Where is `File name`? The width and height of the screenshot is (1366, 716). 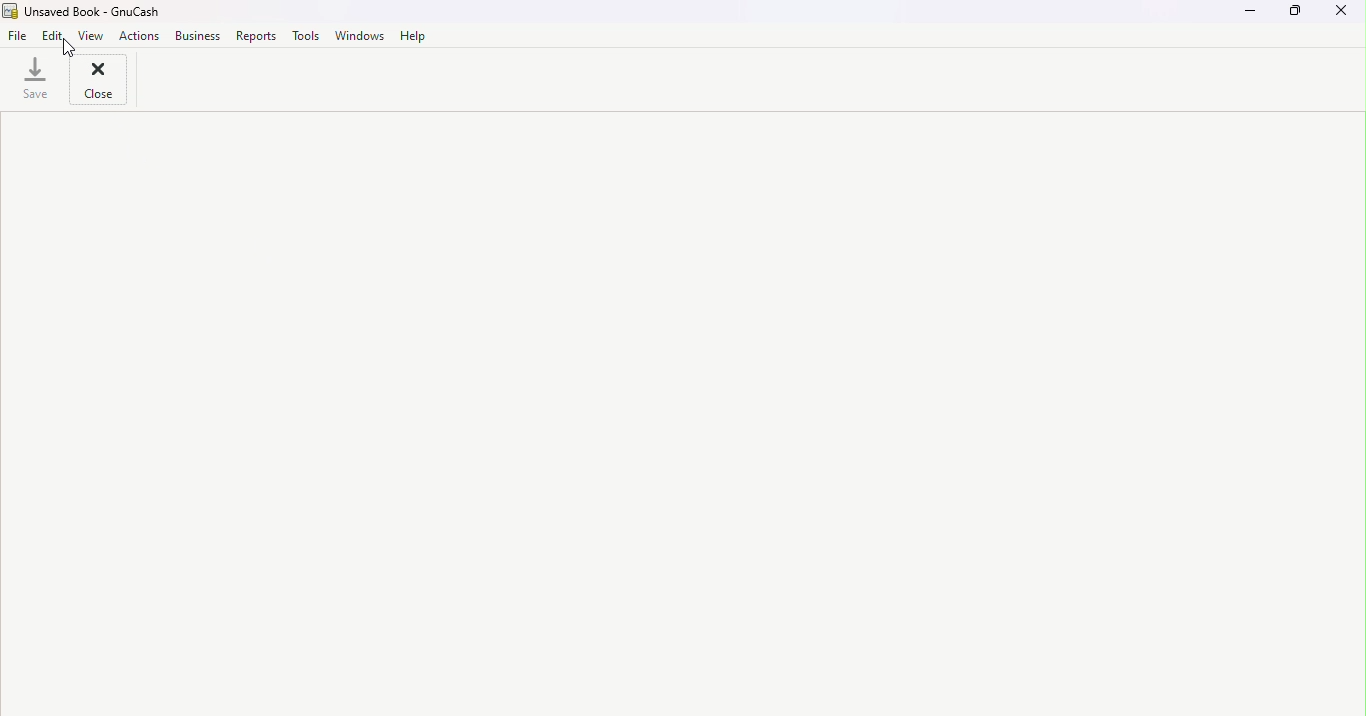
File name is located at coordinates (89, 11).